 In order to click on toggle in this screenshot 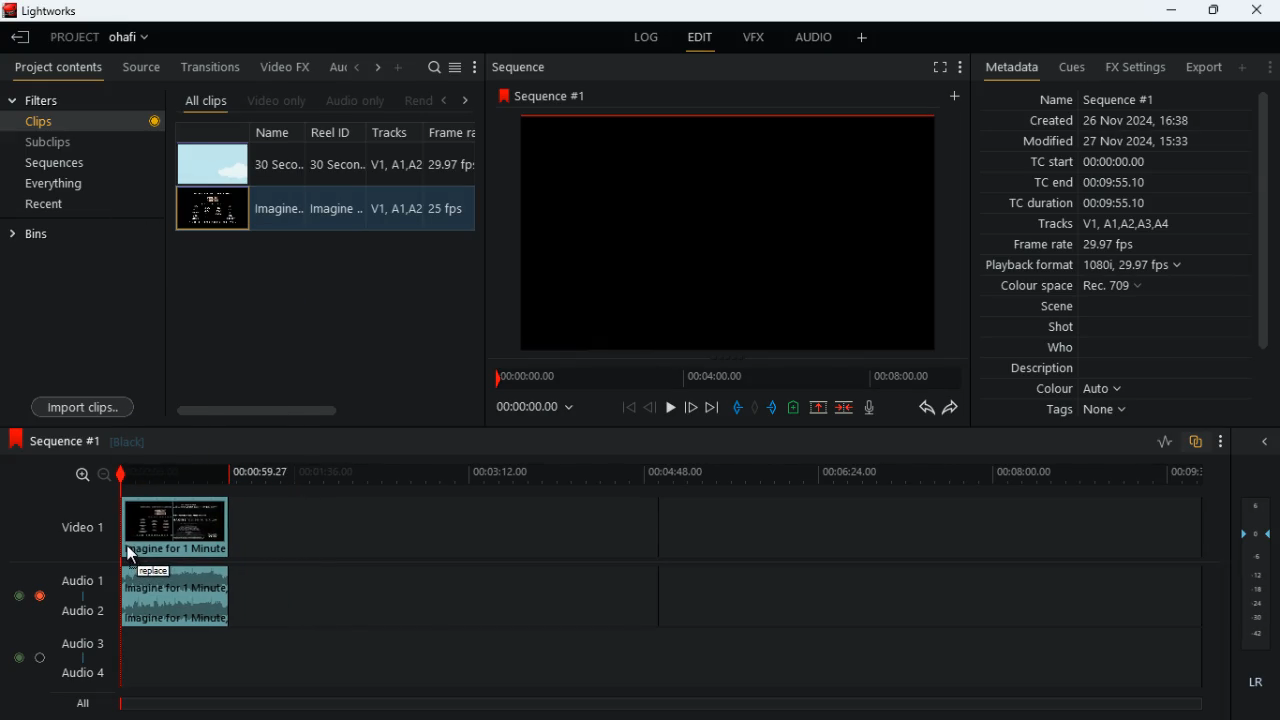, I will do `click(41, 596)`.